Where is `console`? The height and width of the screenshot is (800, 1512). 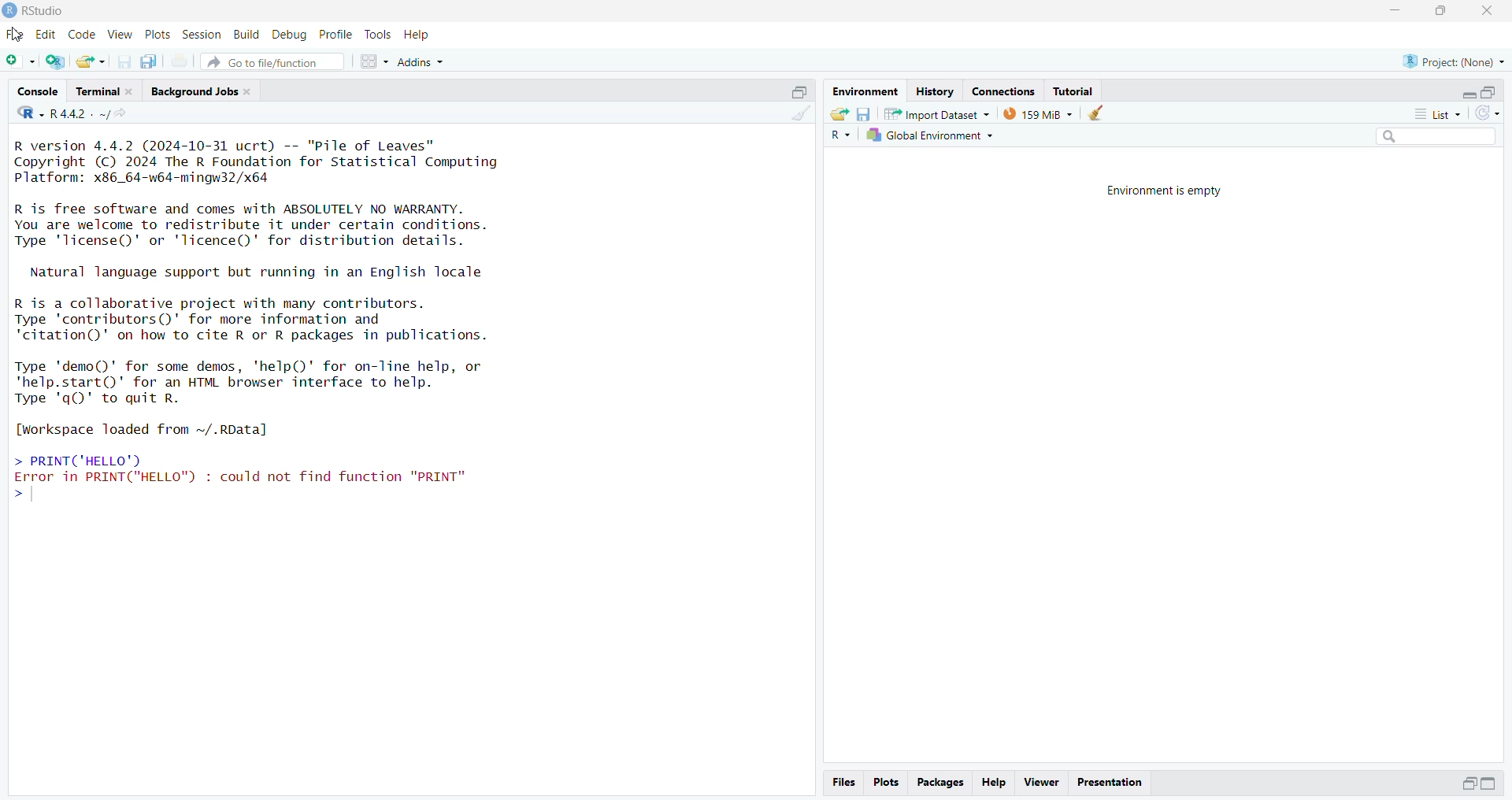 console is located at coordinates (37, 91).